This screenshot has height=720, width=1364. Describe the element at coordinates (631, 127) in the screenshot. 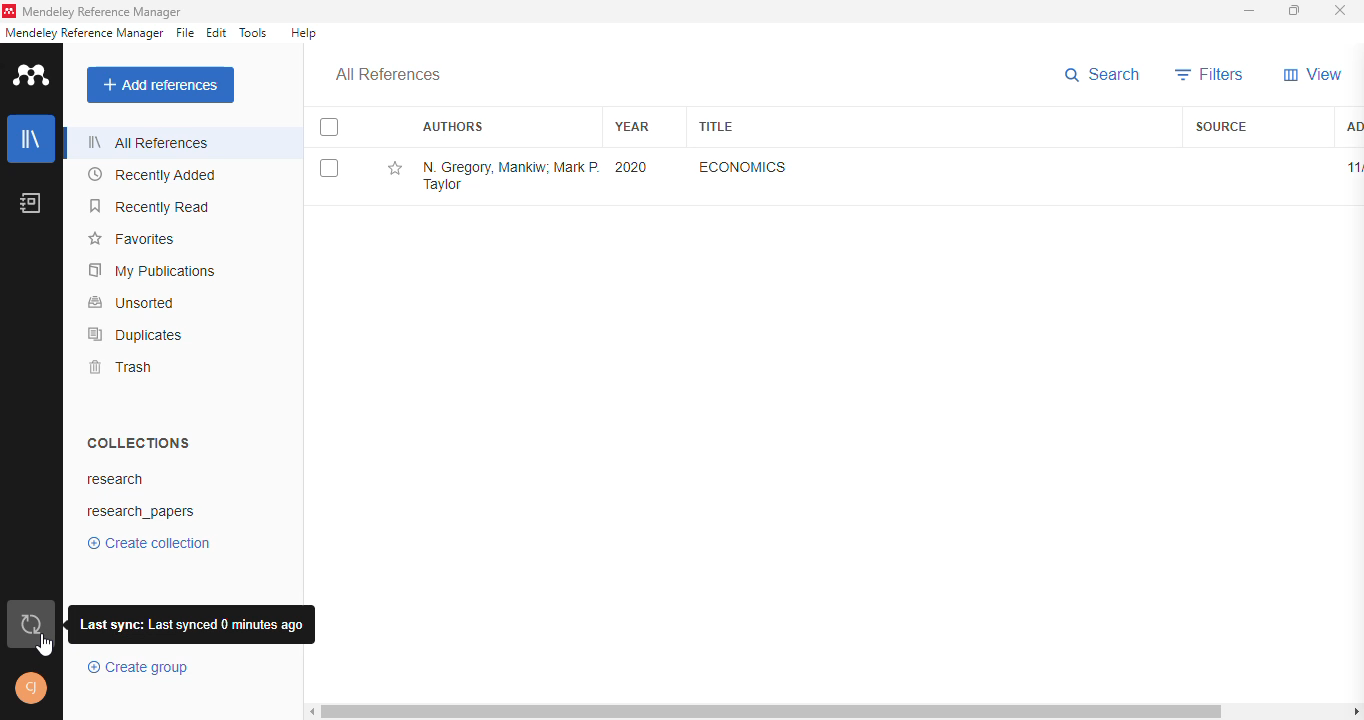

I see `year` at that location.